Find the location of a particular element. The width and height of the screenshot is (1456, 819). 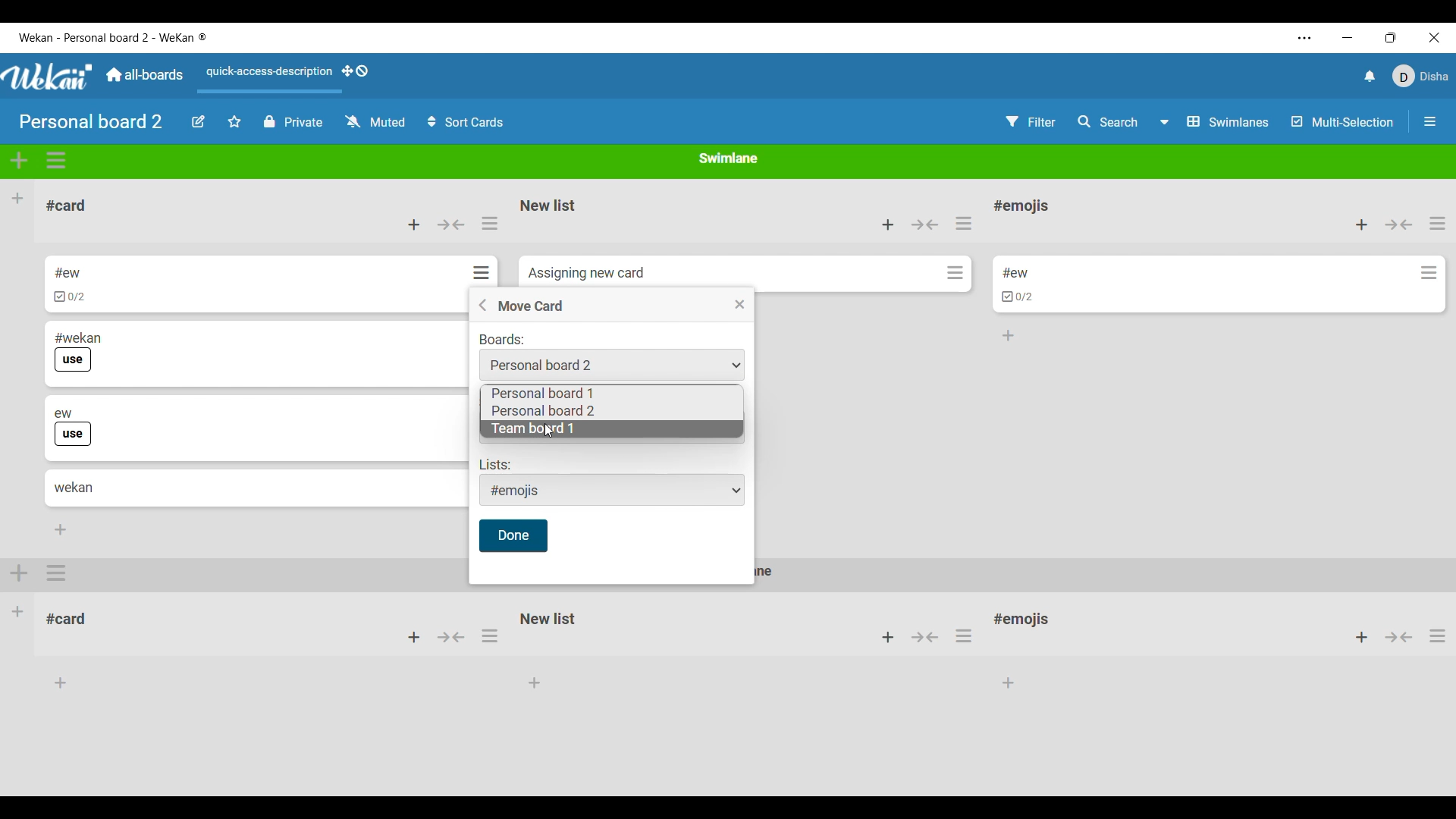

Add card to bottom of list is located at coordinates (61, 529).